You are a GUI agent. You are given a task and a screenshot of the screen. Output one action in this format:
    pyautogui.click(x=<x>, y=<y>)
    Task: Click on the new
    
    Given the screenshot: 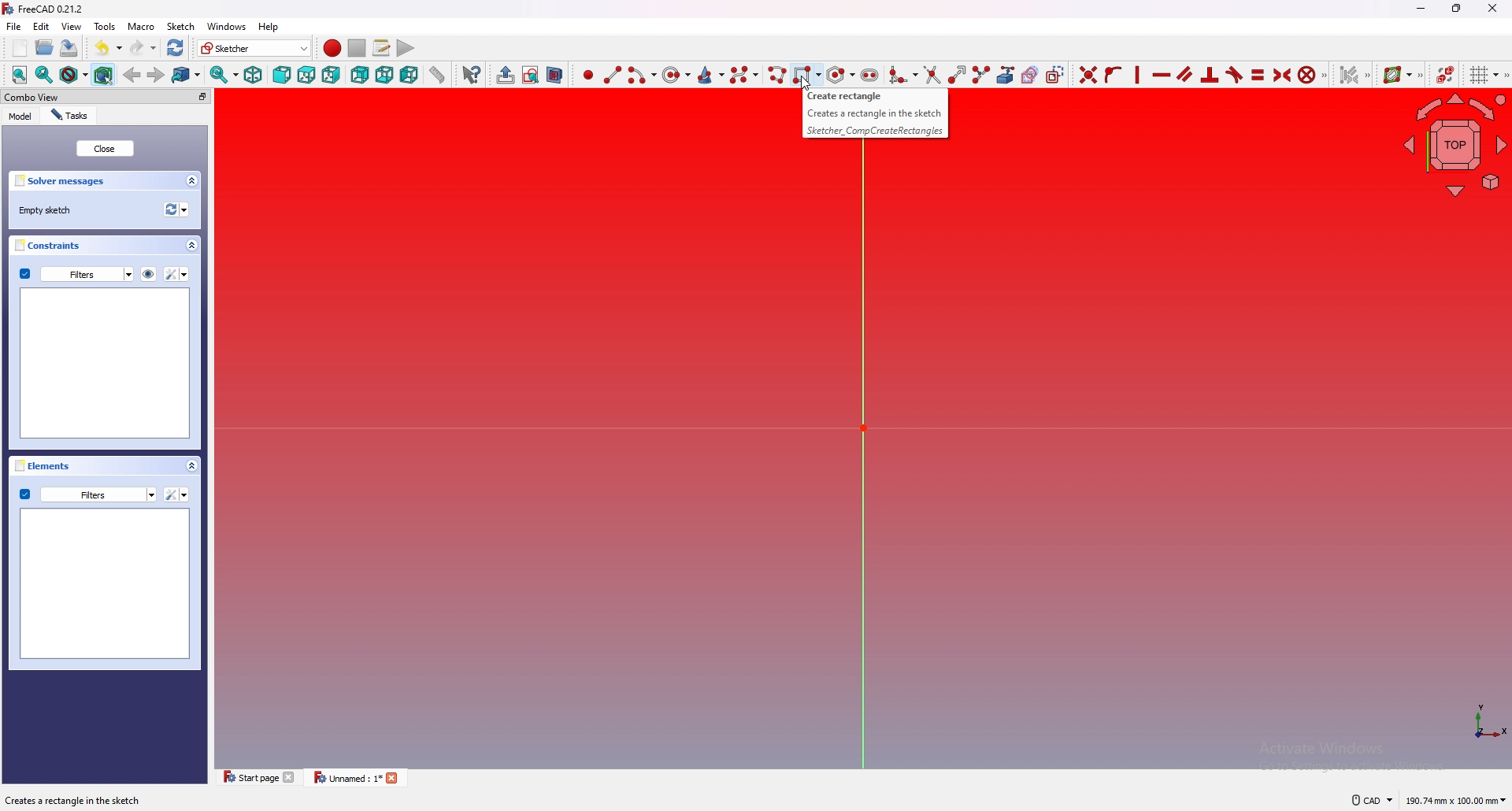 What is the action you would take?
    pyautogui.click(x=20, y=47)
    